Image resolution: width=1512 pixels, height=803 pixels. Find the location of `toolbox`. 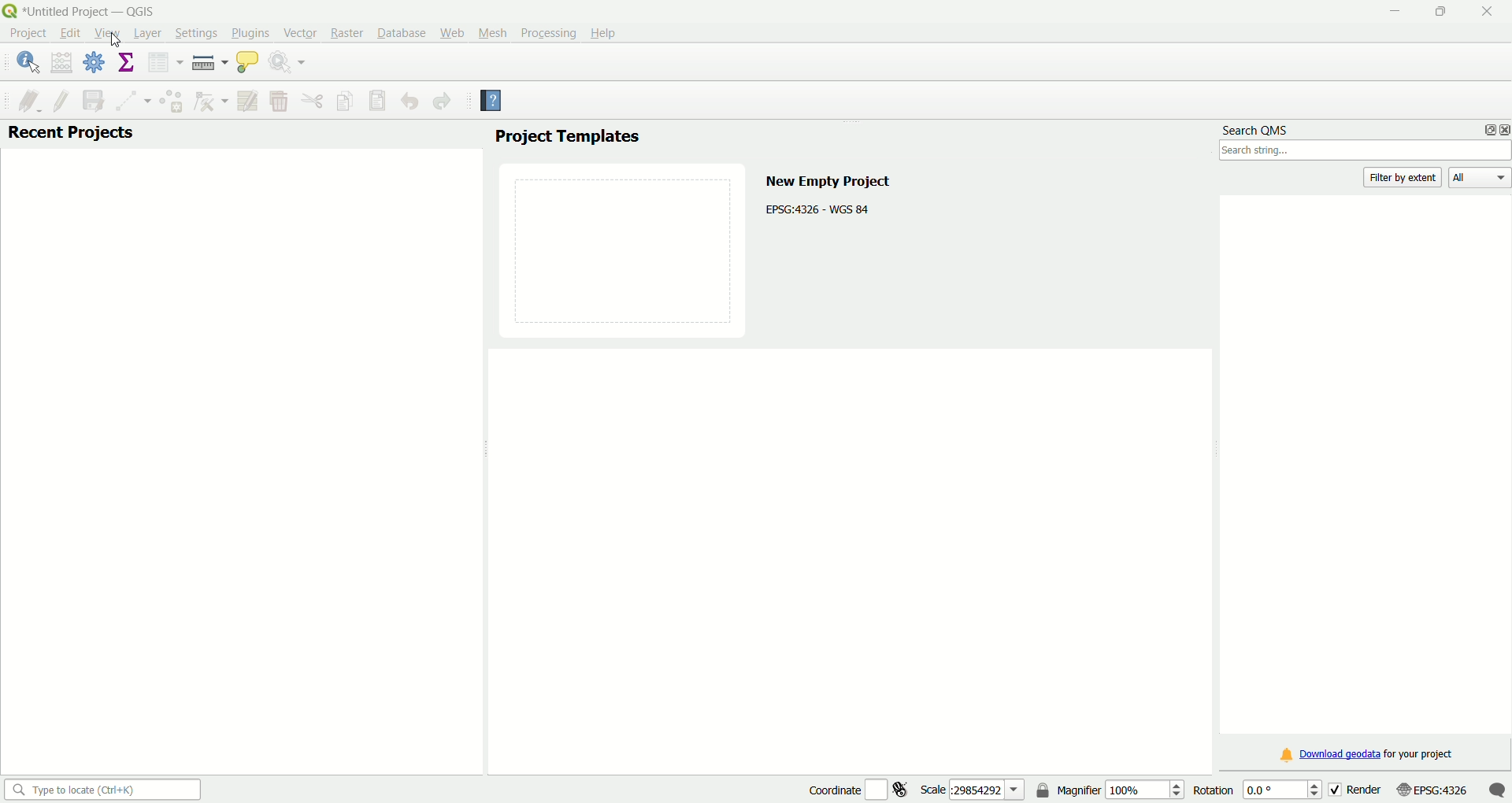

toolbox is located at coordinates (95, 65).